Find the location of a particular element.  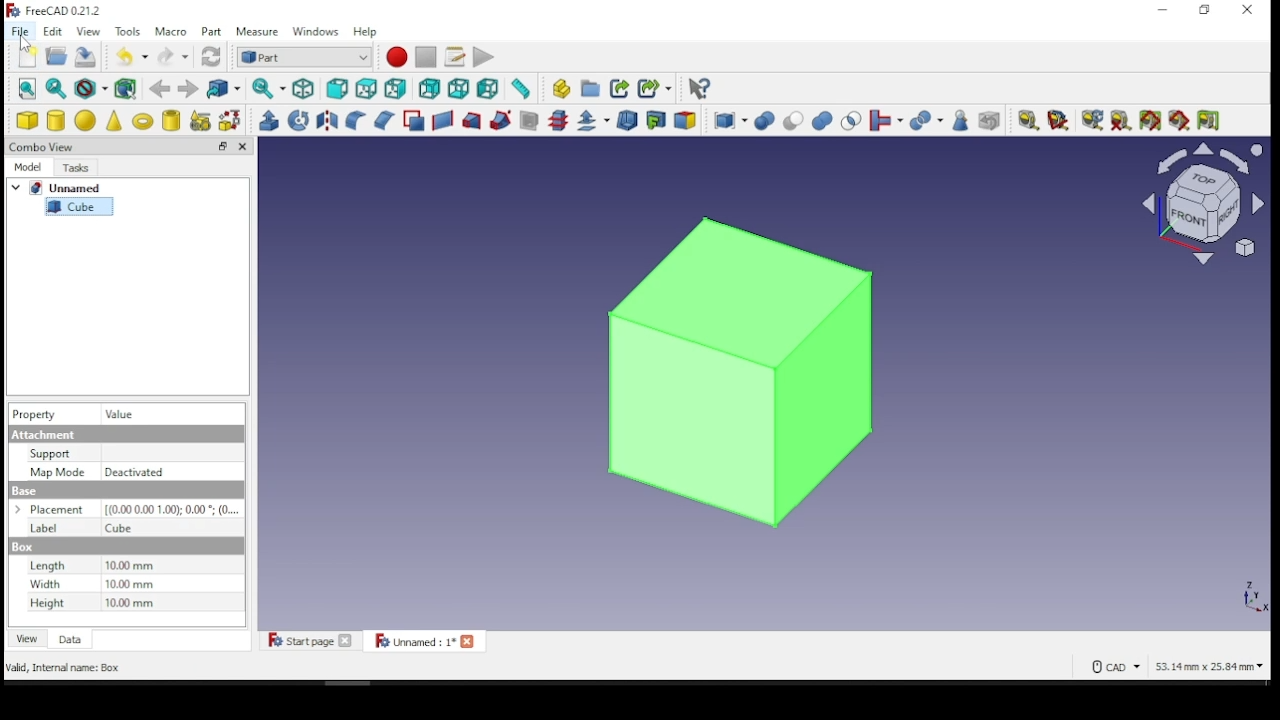

compound tools is located at coordinates (729, 121).